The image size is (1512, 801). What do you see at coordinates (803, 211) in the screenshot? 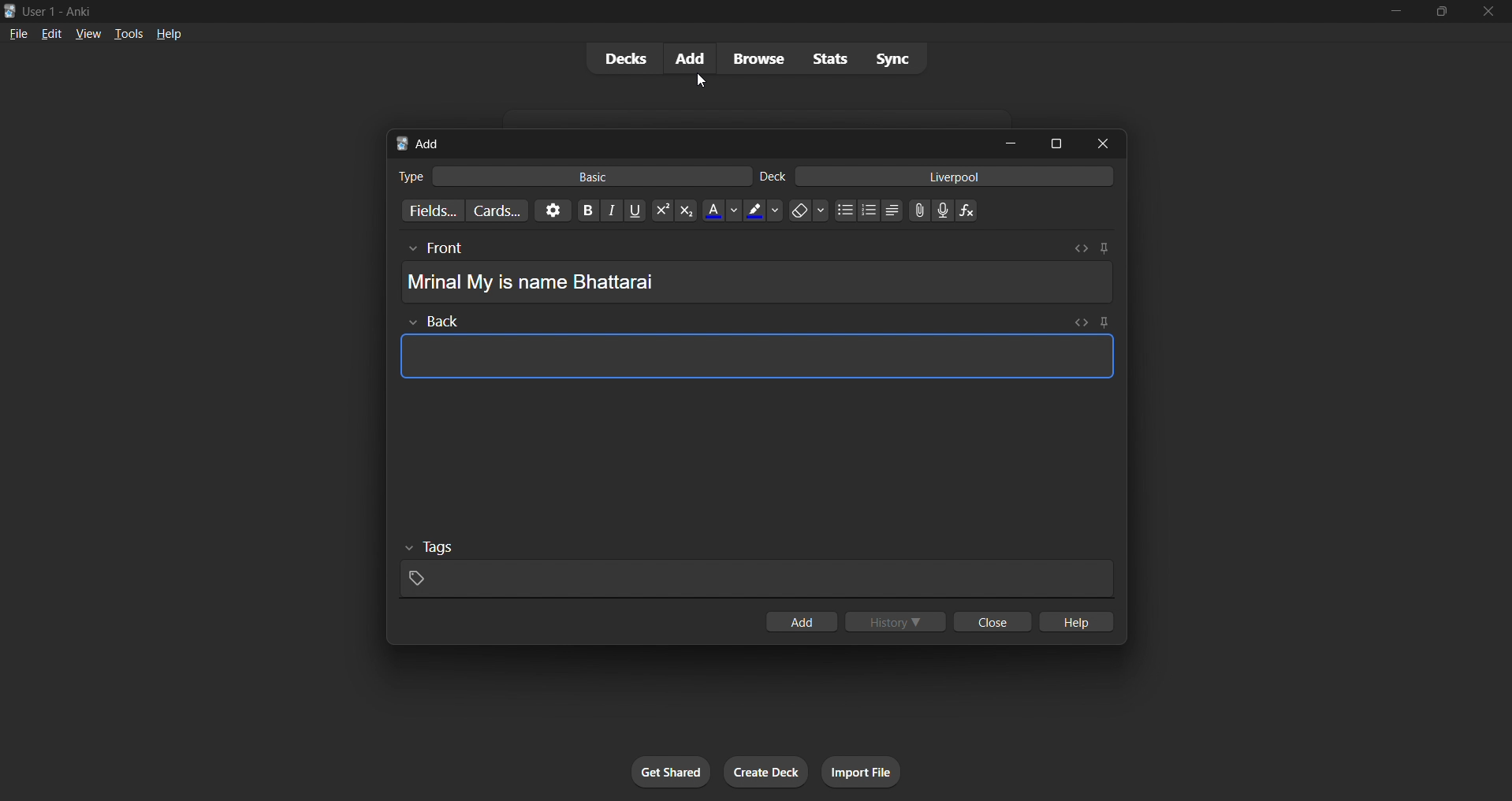
I see `erase formatting` at bounding box center [803, 211].